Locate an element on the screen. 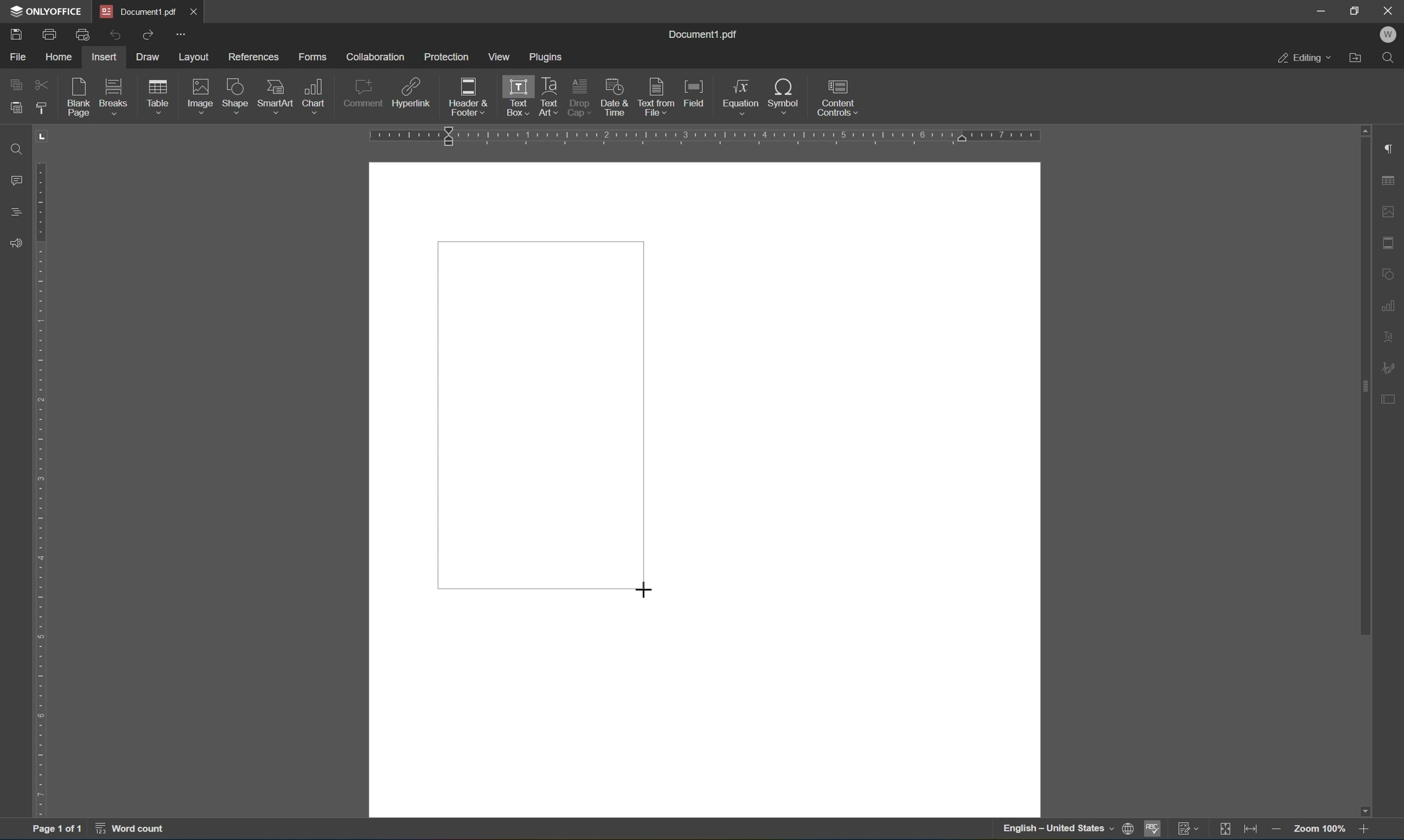 The height and width of the screenshot is (840, 1404). fit to page is located at coordinates (1225, 830).